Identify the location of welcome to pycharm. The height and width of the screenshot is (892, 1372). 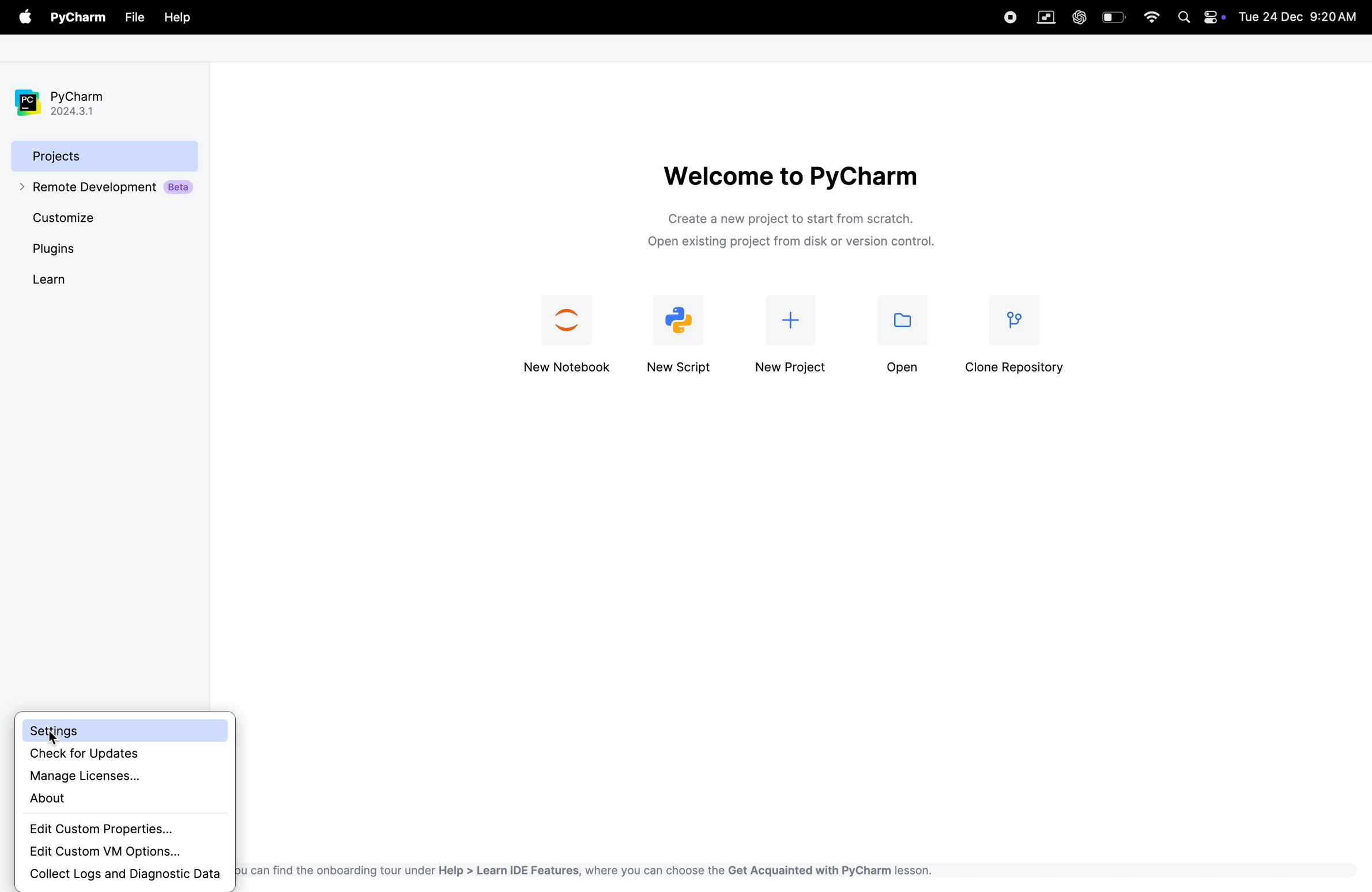
(789, 175).